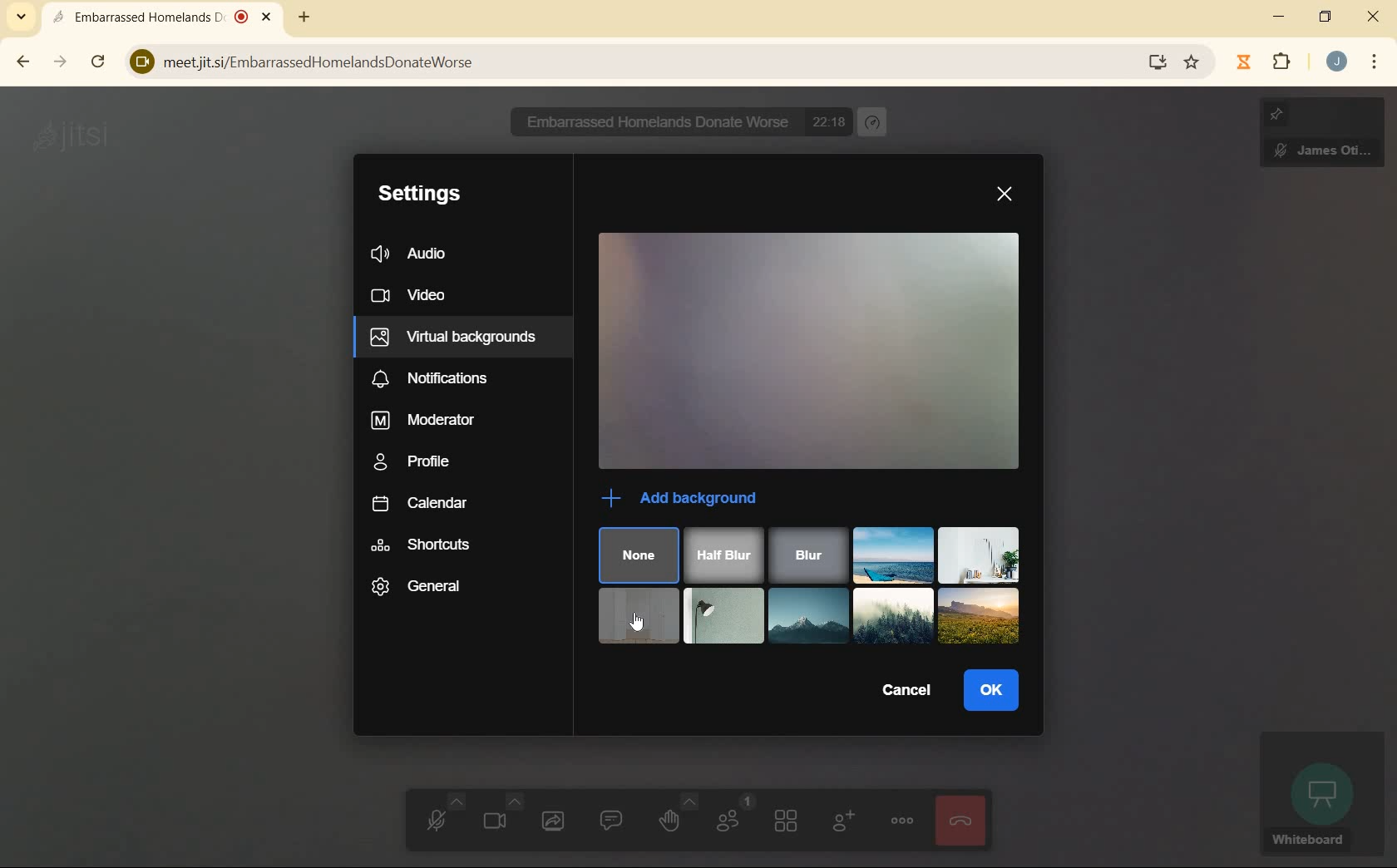 The image size is (1397, 868). I want to click on white empty room, so click(639, 617).